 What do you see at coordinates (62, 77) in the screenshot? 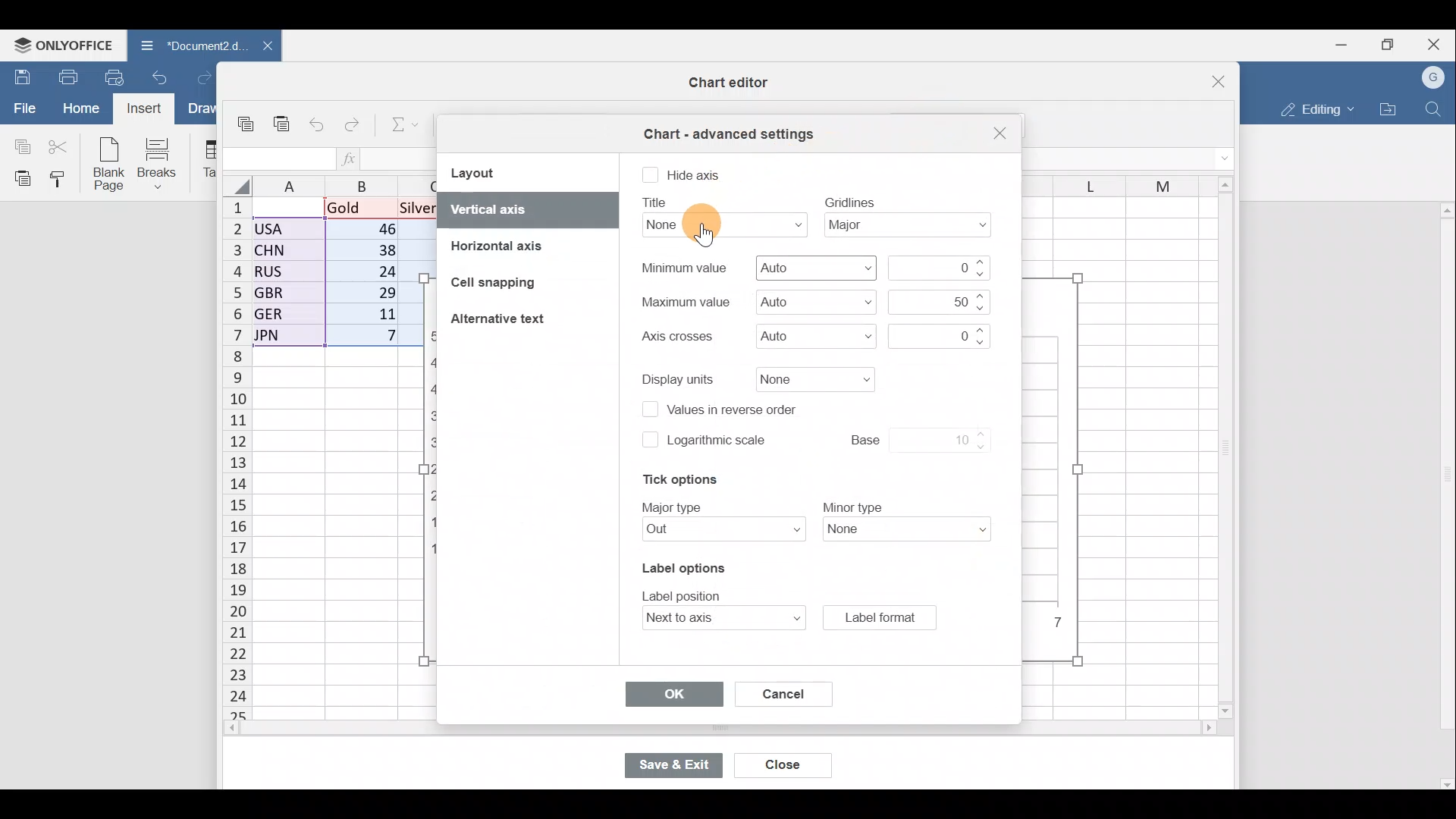
I see `Print file` at bounding box center [62, 77].